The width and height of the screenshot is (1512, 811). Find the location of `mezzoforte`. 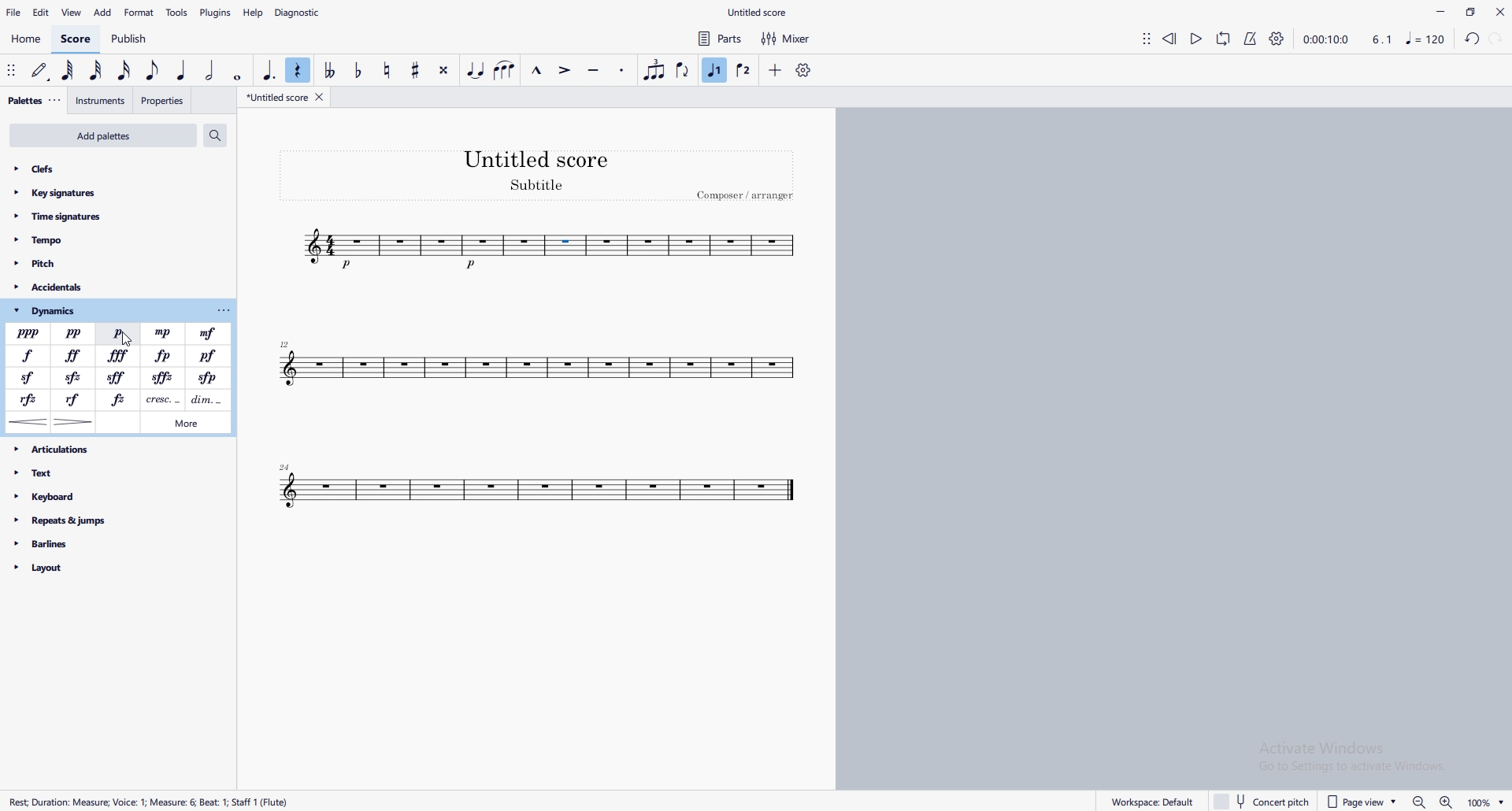

mezzoforte is located at coordinates (209, 332).